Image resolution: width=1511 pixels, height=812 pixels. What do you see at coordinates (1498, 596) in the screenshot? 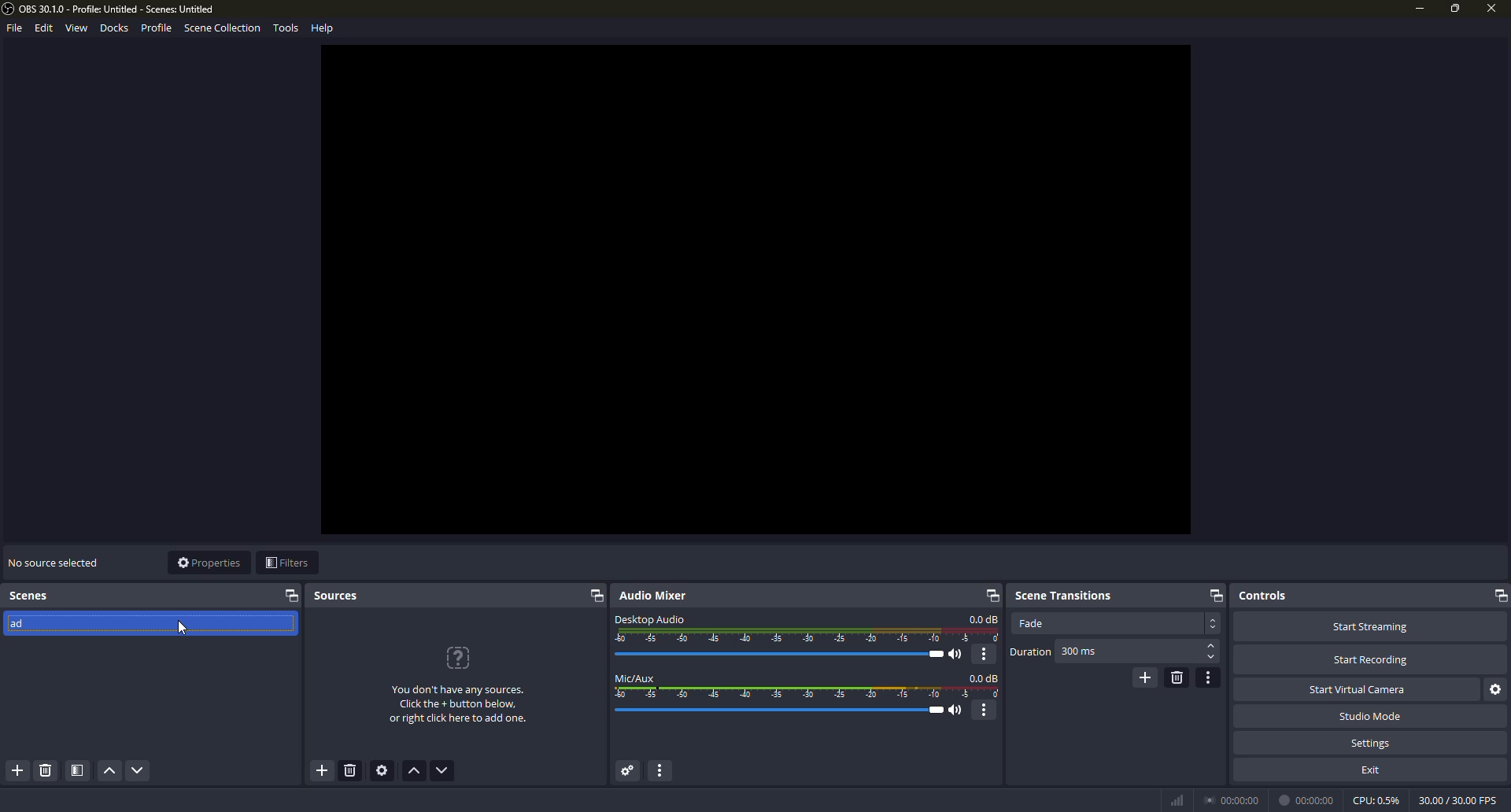
I see `expand` at bounding box center [1498, 596].